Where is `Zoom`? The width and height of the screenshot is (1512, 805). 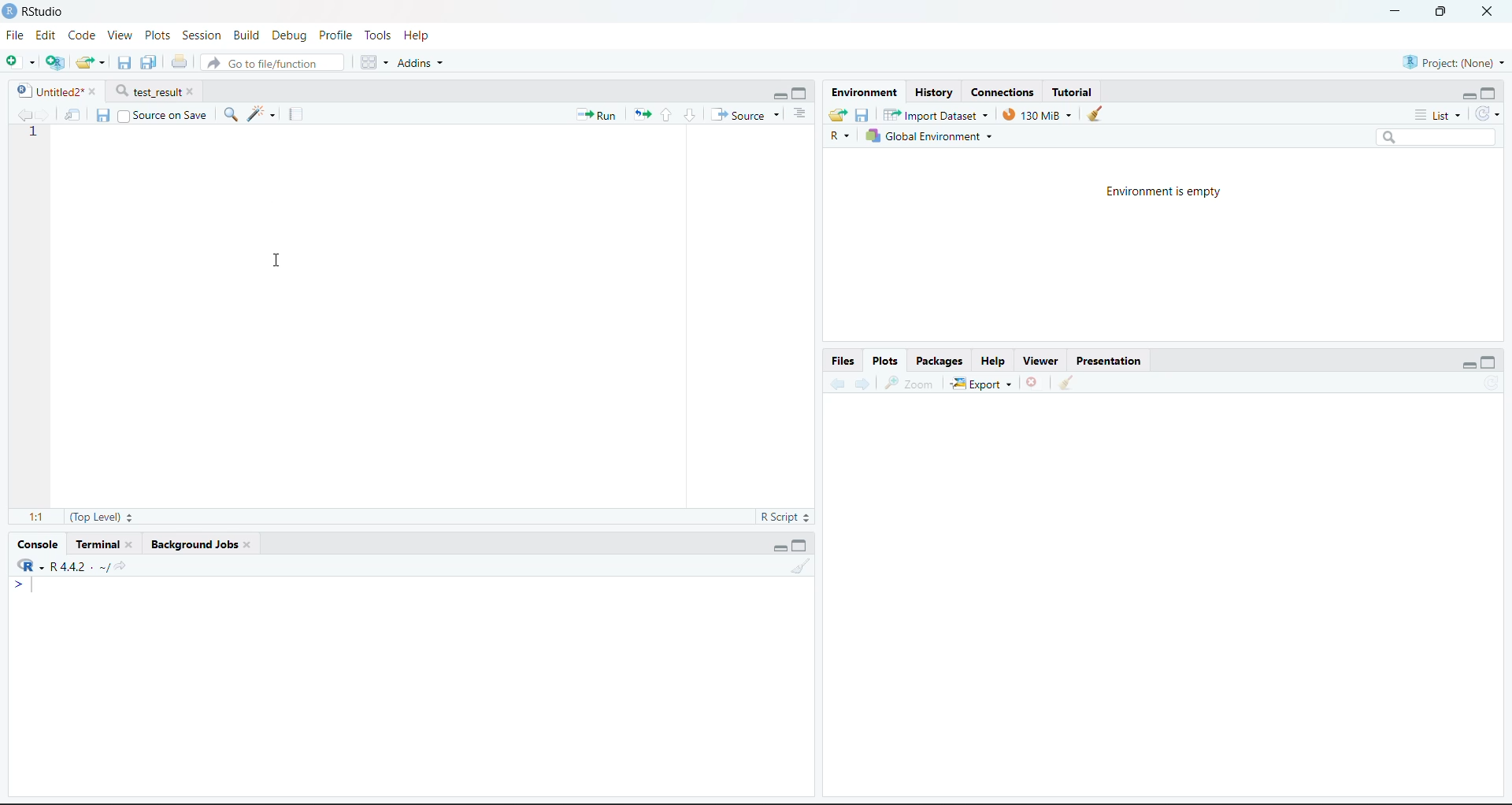
Zoom is located at coordinates (911, 384).